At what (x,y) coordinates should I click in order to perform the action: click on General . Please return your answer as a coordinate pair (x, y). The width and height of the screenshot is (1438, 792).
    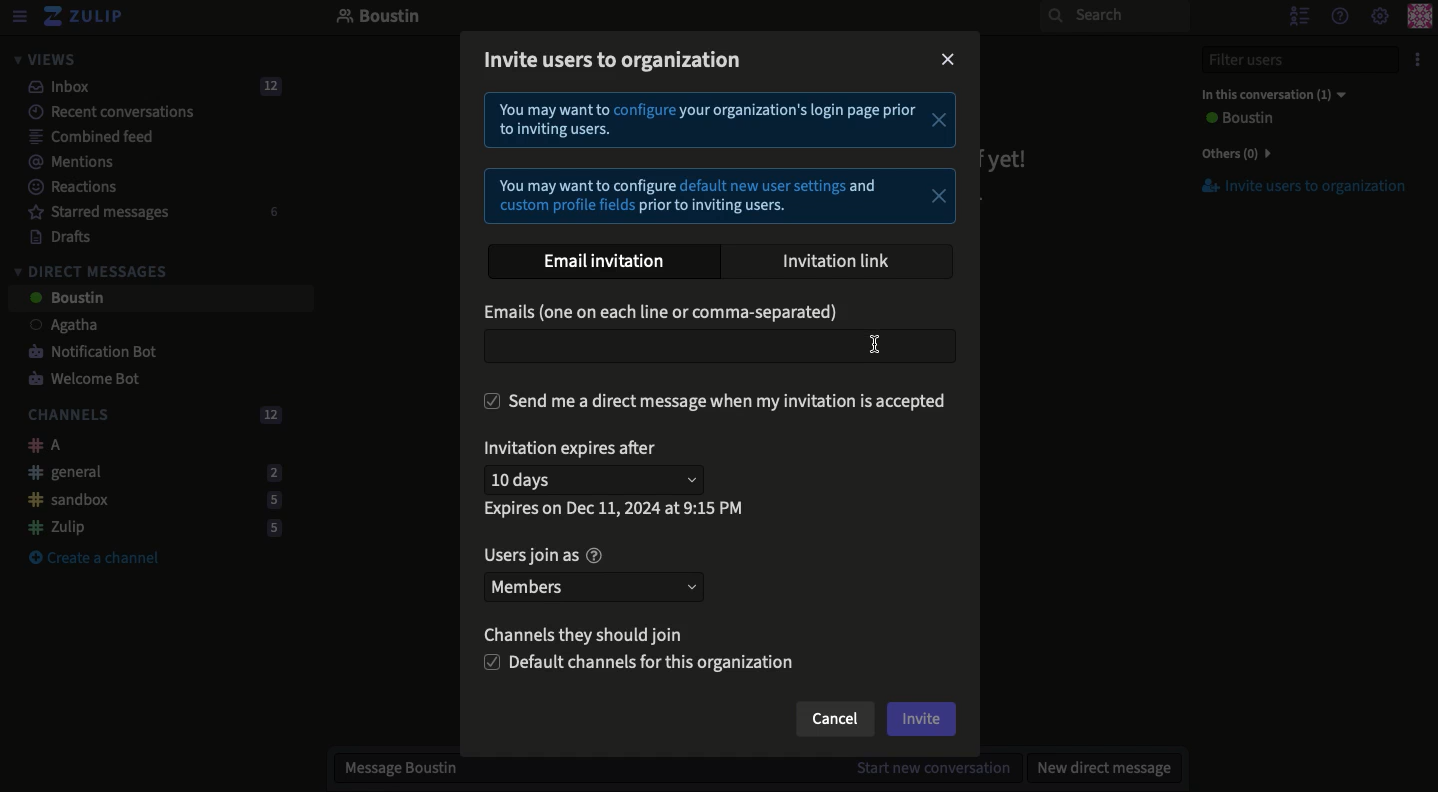
    Looking at the image, I should click on (149, 471).